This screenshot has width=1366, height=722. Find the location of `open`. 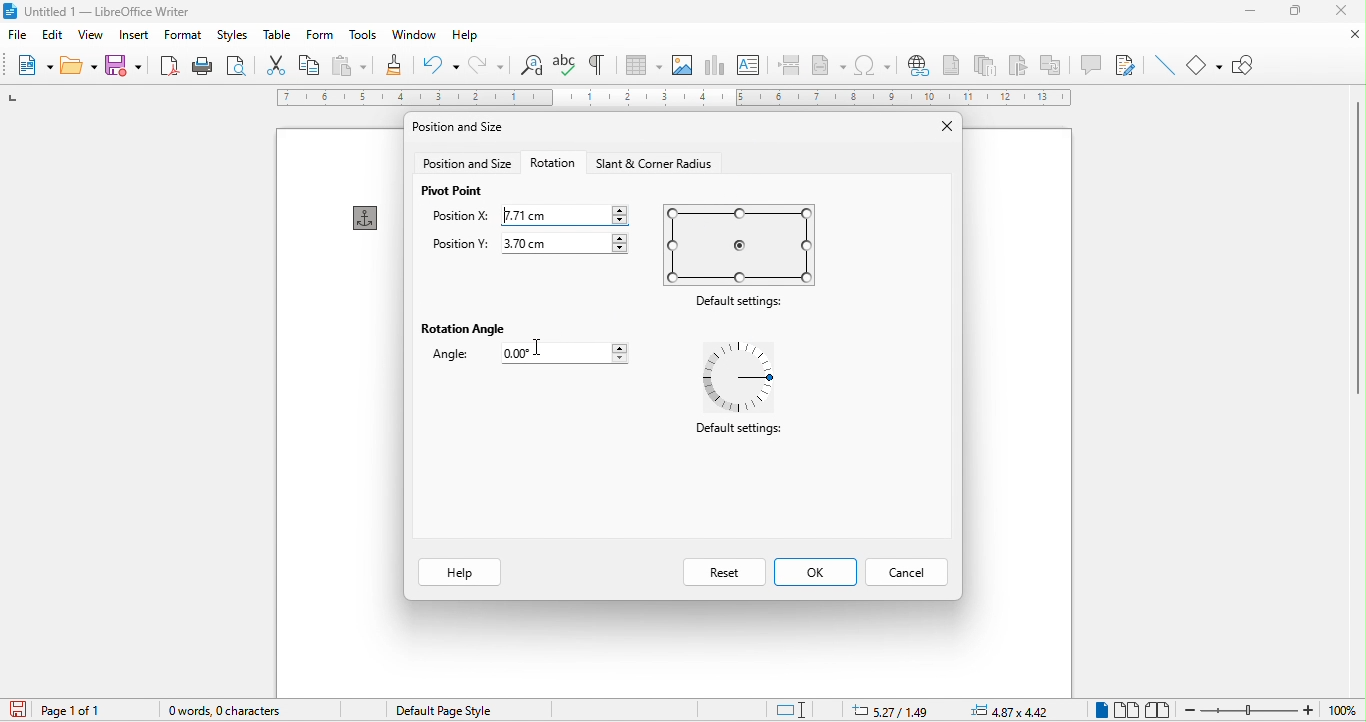

open is located at coordinates (79, 64).